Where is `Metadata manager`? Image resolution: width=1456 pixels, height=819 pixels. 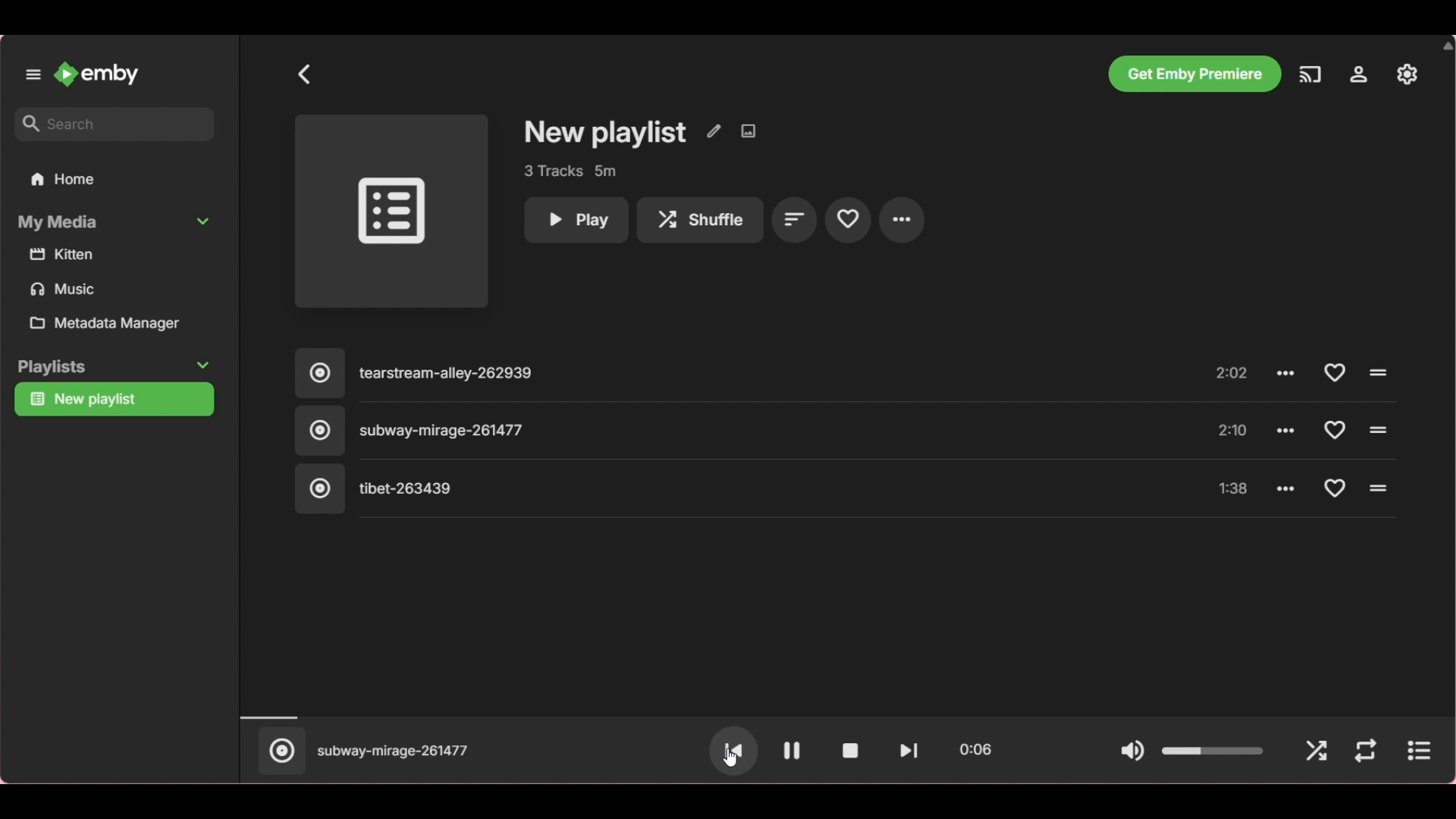 Metadata manager is located at coordinates (118, 323).